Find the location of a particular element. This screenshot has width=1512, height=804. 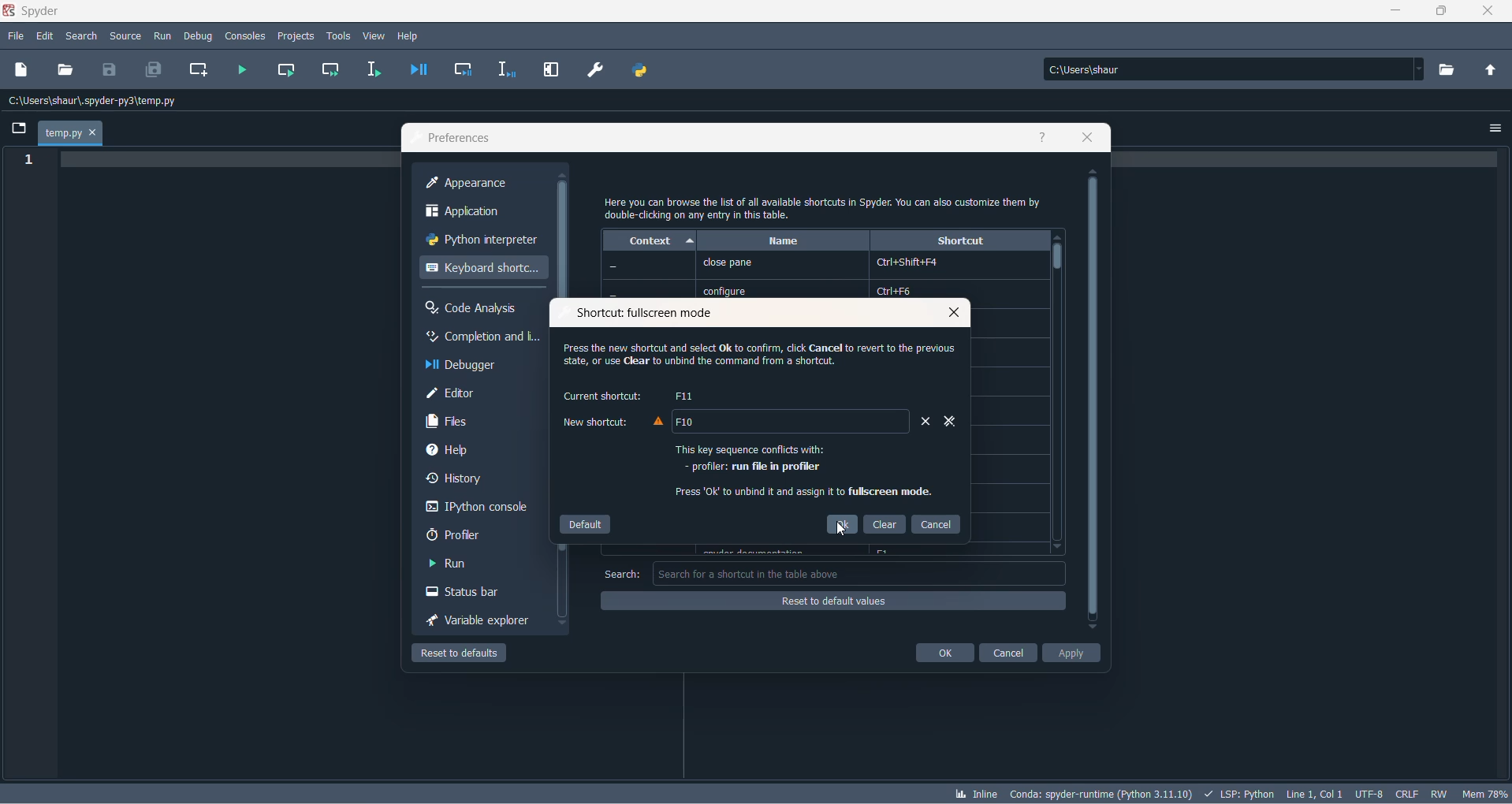

folder is located at coordinates (17, 130).